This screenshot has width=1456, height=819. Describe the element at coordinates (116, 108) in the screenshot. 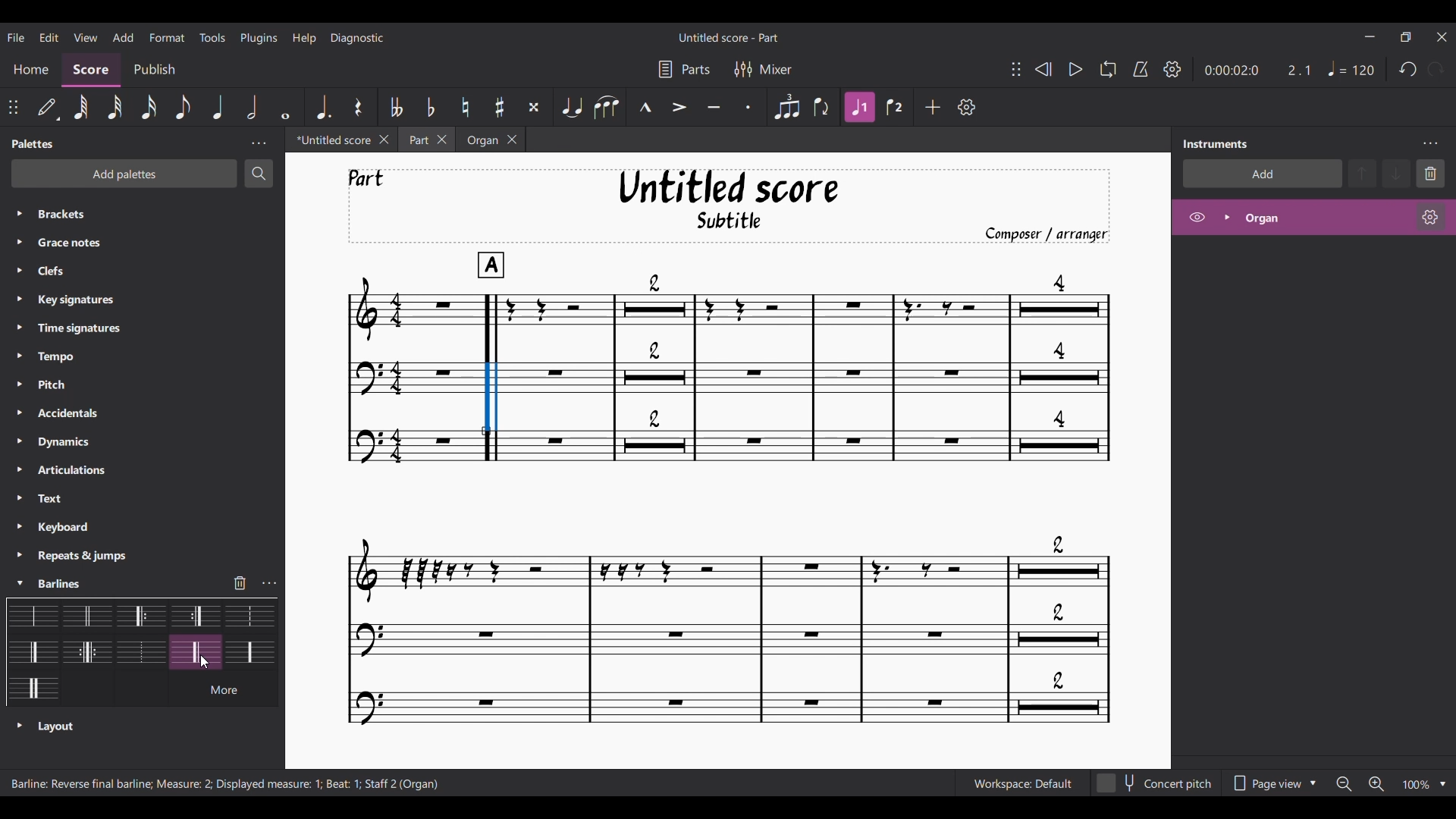

I see `32nd note` at that location.